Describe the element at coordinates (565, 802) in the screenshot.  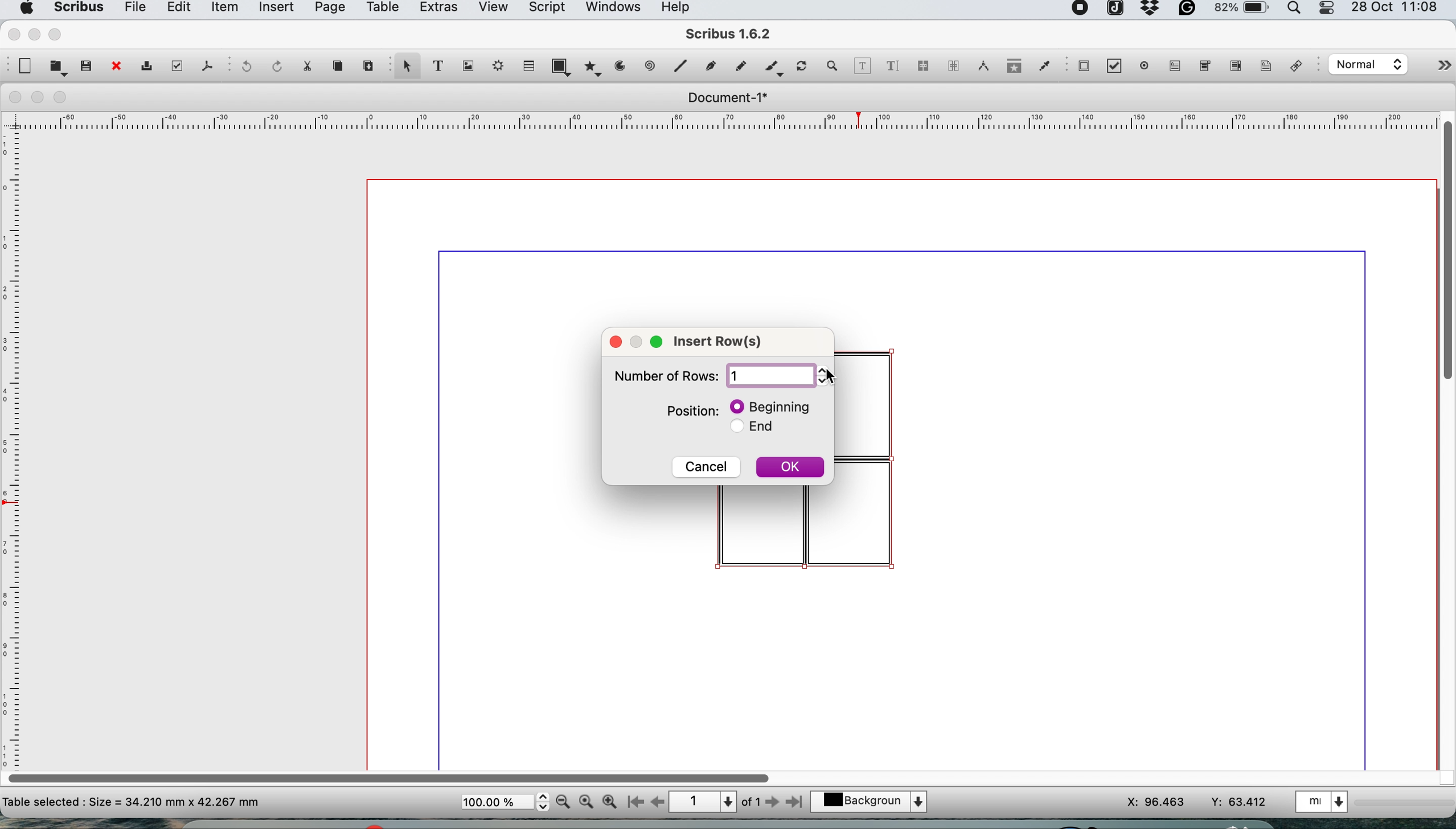
I see `zoom out` at that location.